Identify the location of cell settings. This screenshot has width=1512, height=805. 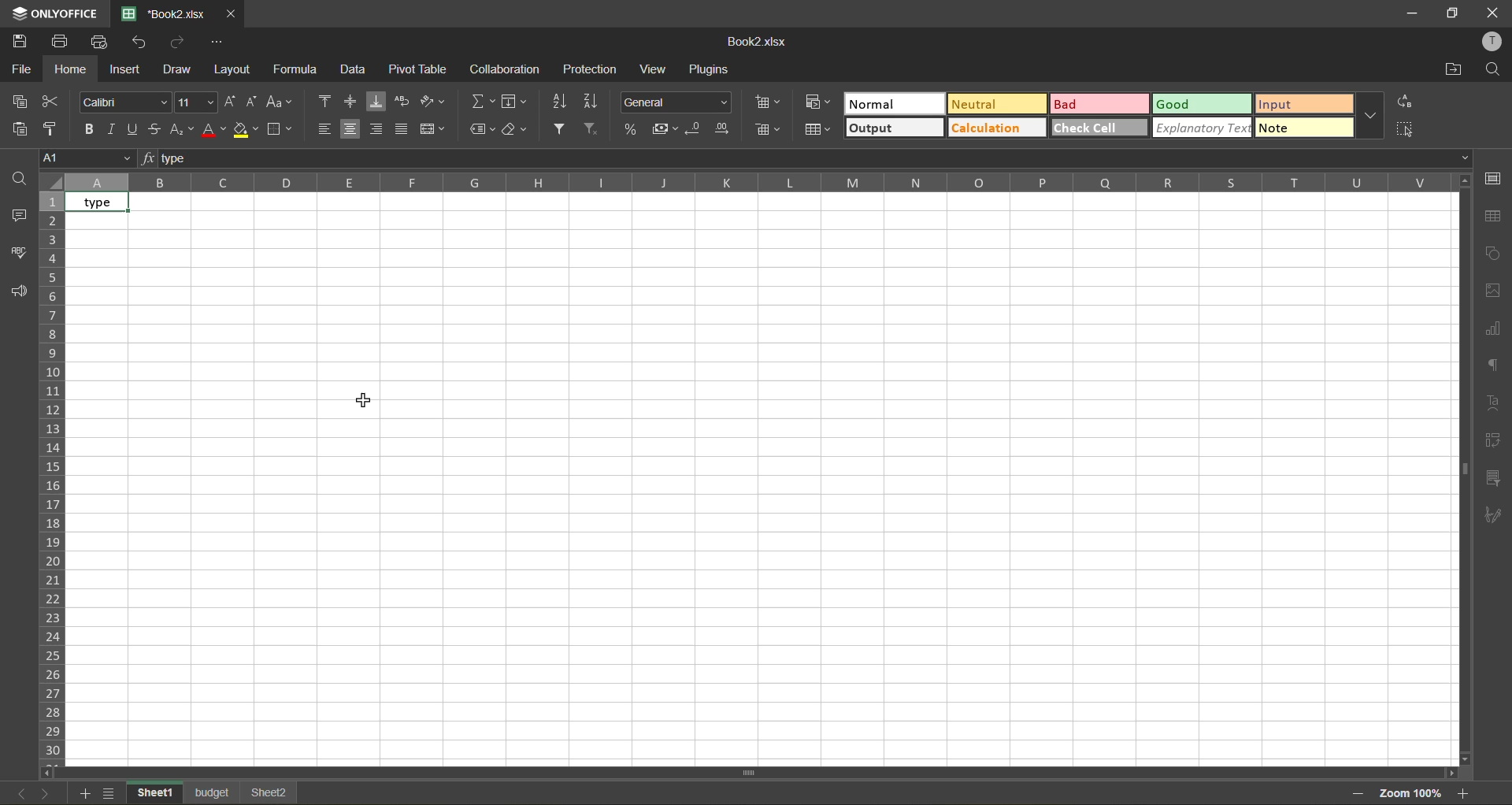
(1492, 180).